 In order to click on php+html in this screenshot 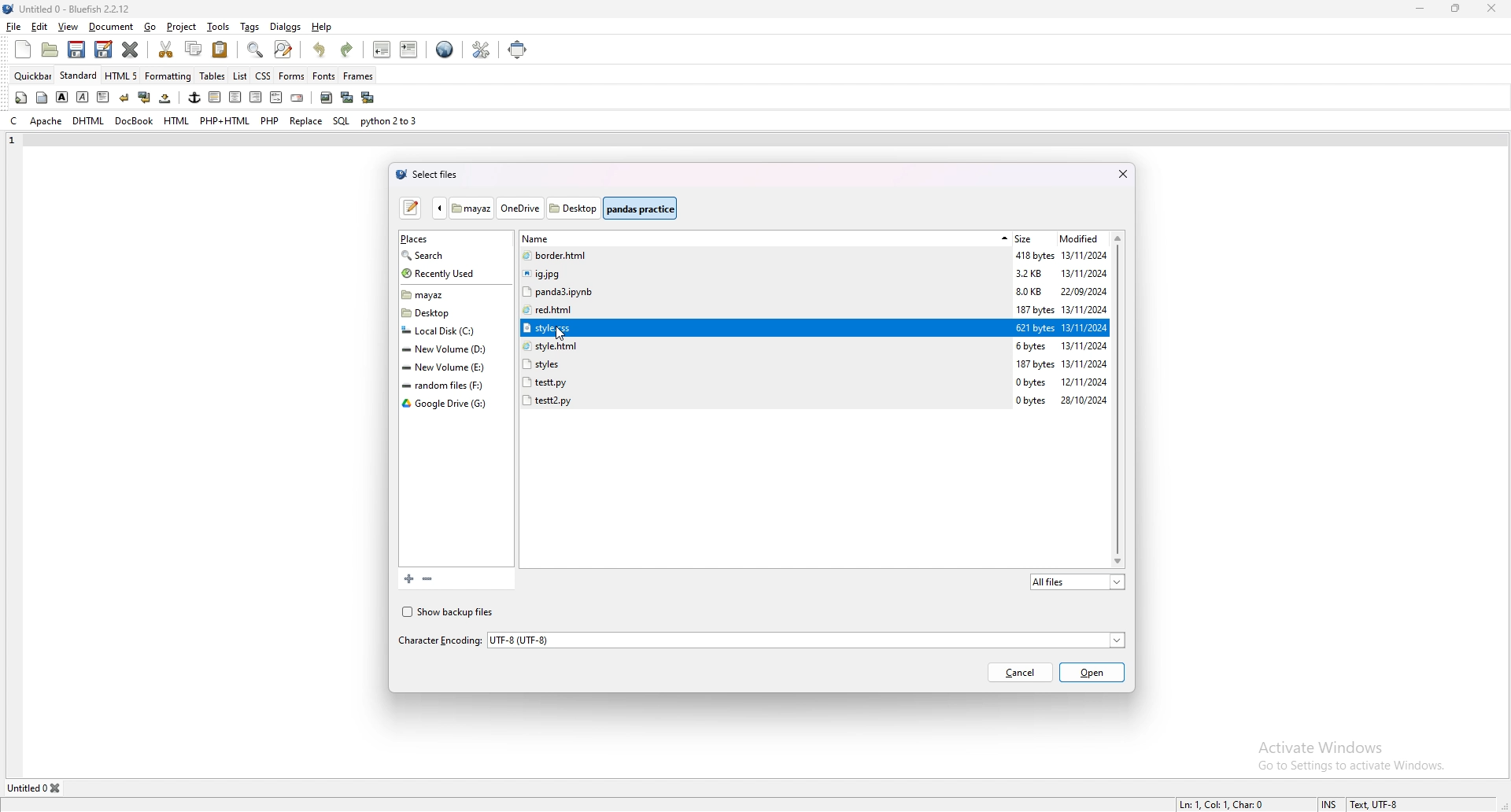, I will do `click(225, 120)`.